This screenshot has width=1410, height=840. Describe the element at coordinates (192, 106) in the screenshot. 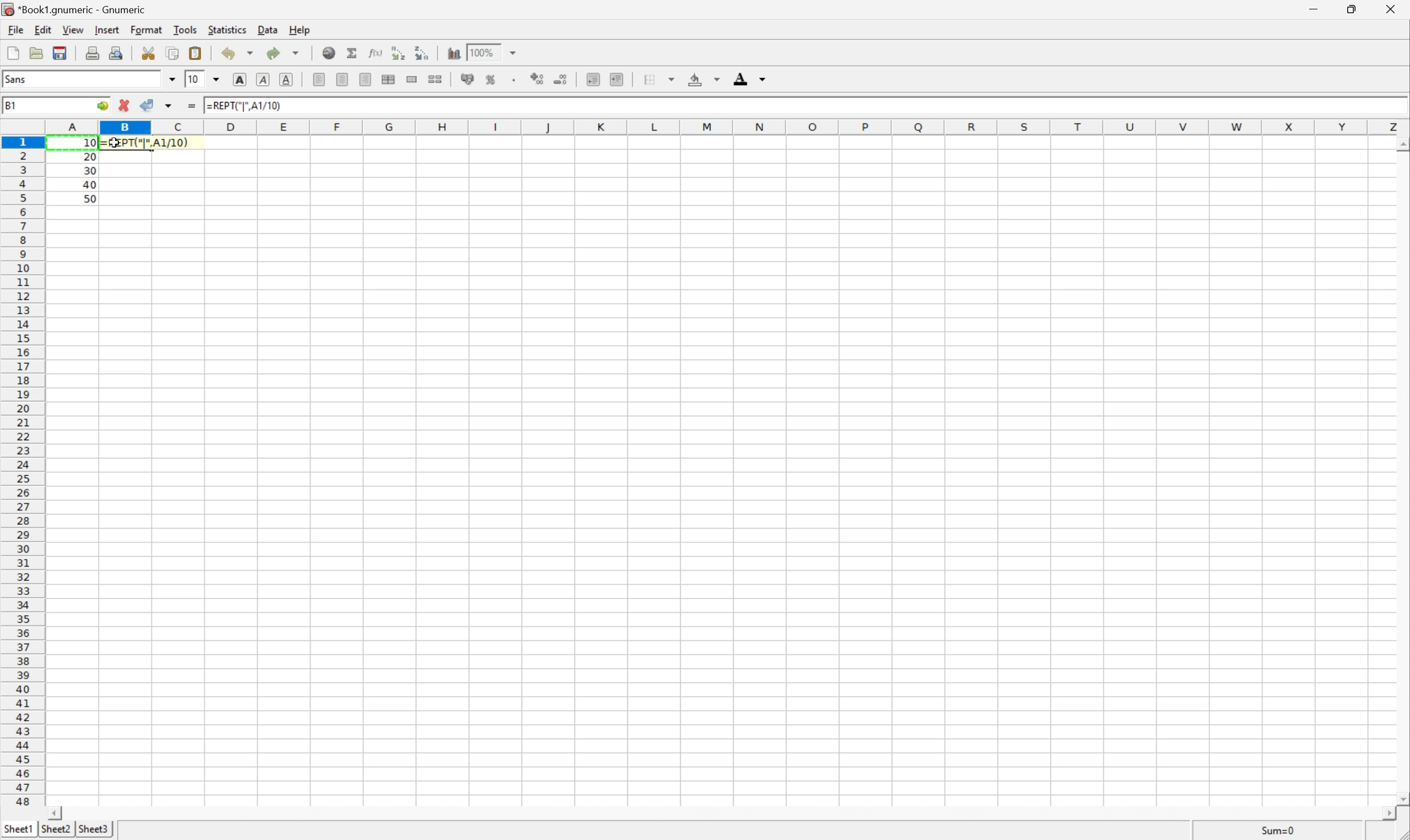

I see `Enter formula` at that location.